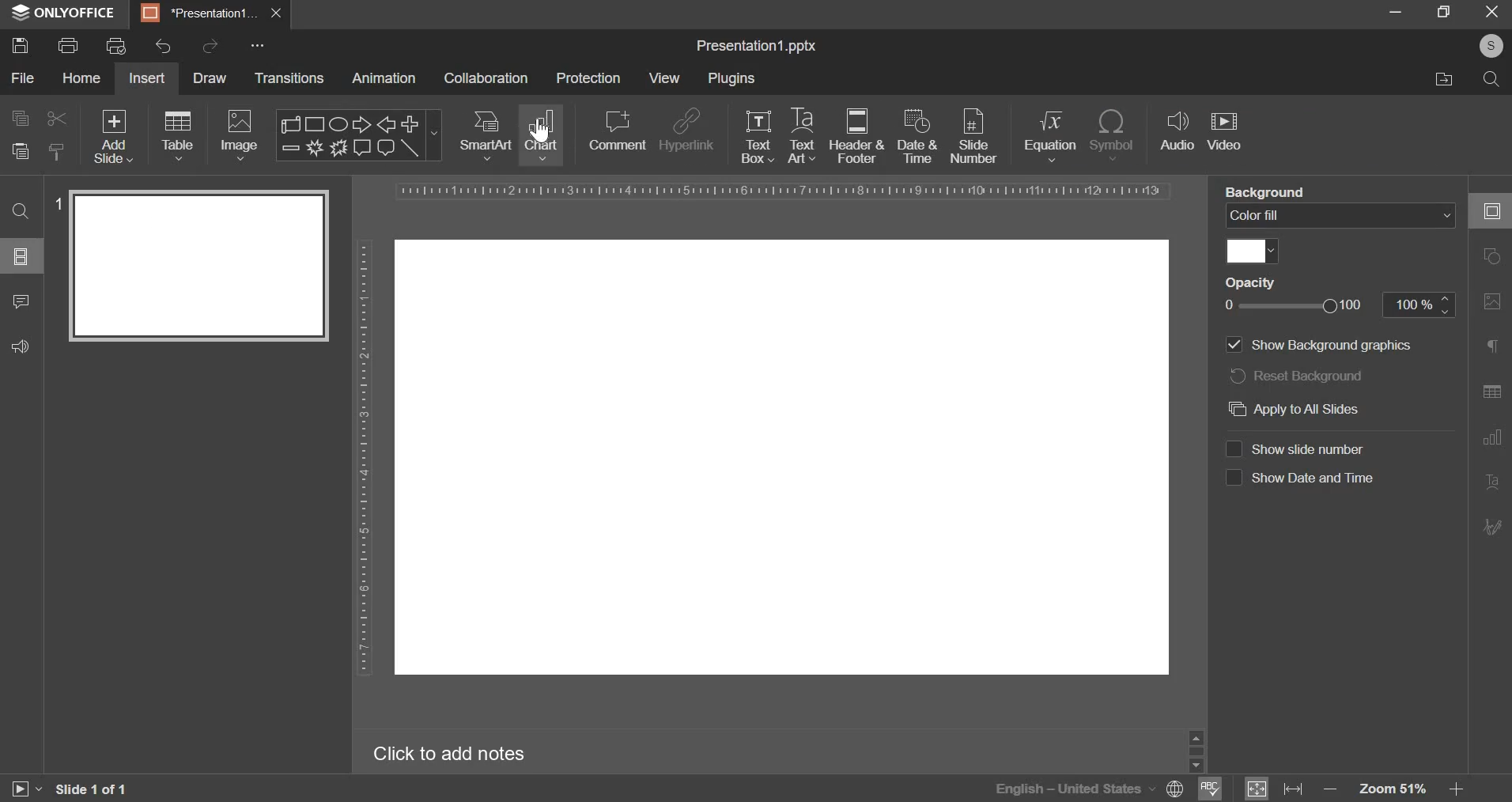  Describe the element at coordinates (785, 191) in the screenshot. I see `horizontal scale` at that location.